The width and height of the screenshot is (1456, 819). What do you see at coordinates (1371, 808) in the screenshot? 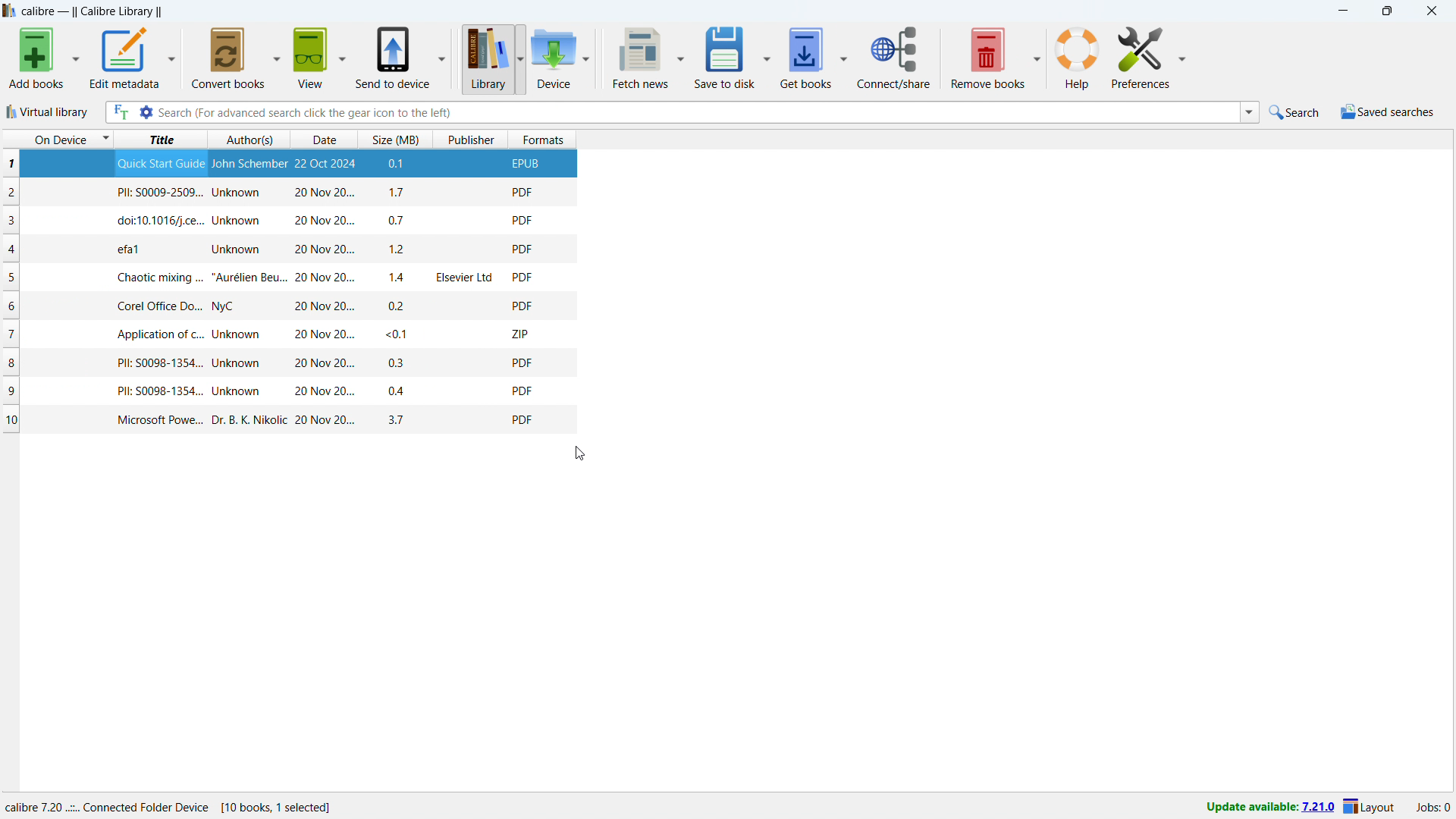
I see `layout` at bounding box center [1371, 808].